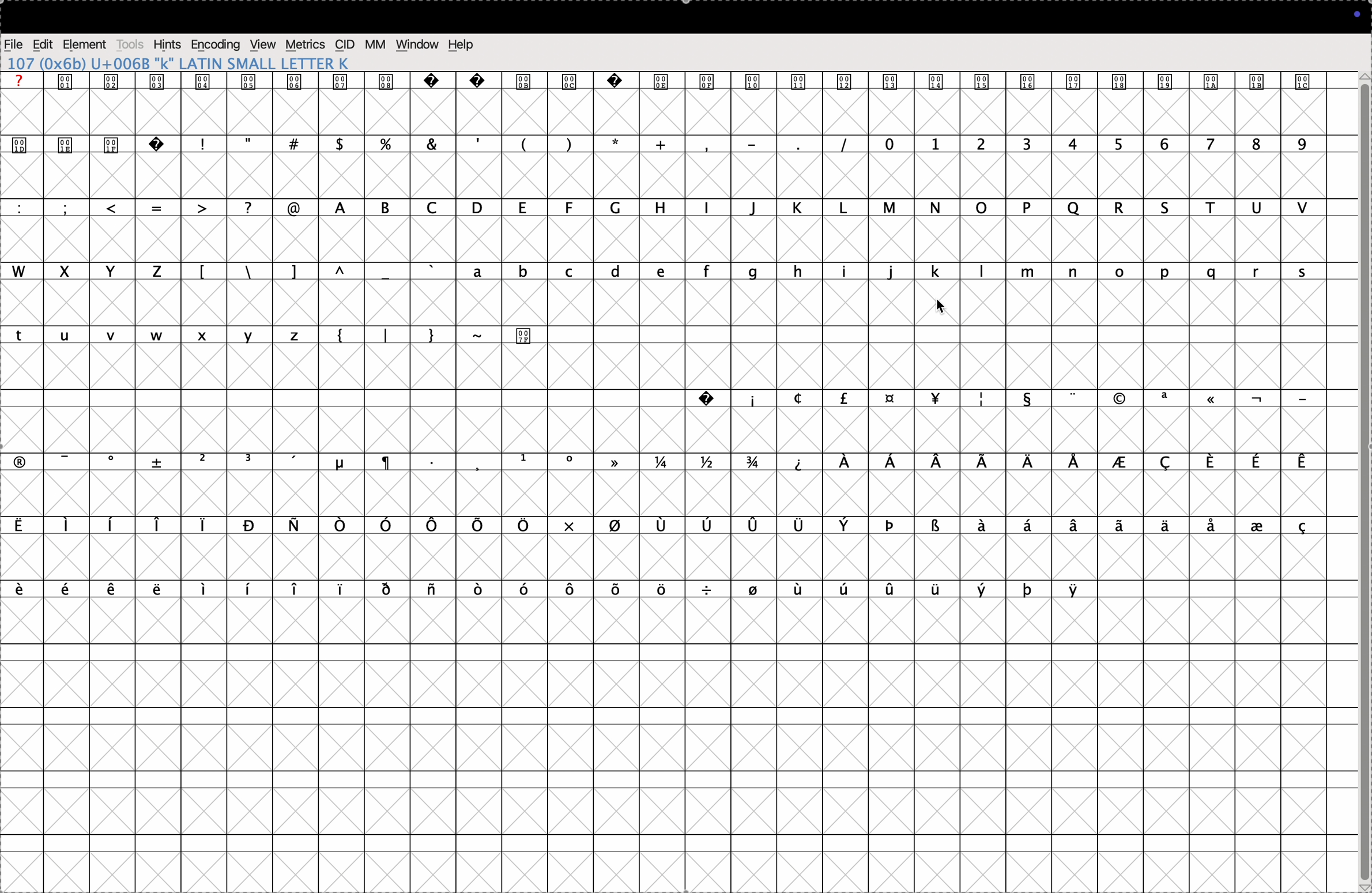  I want to click on -, so click(59, 459).